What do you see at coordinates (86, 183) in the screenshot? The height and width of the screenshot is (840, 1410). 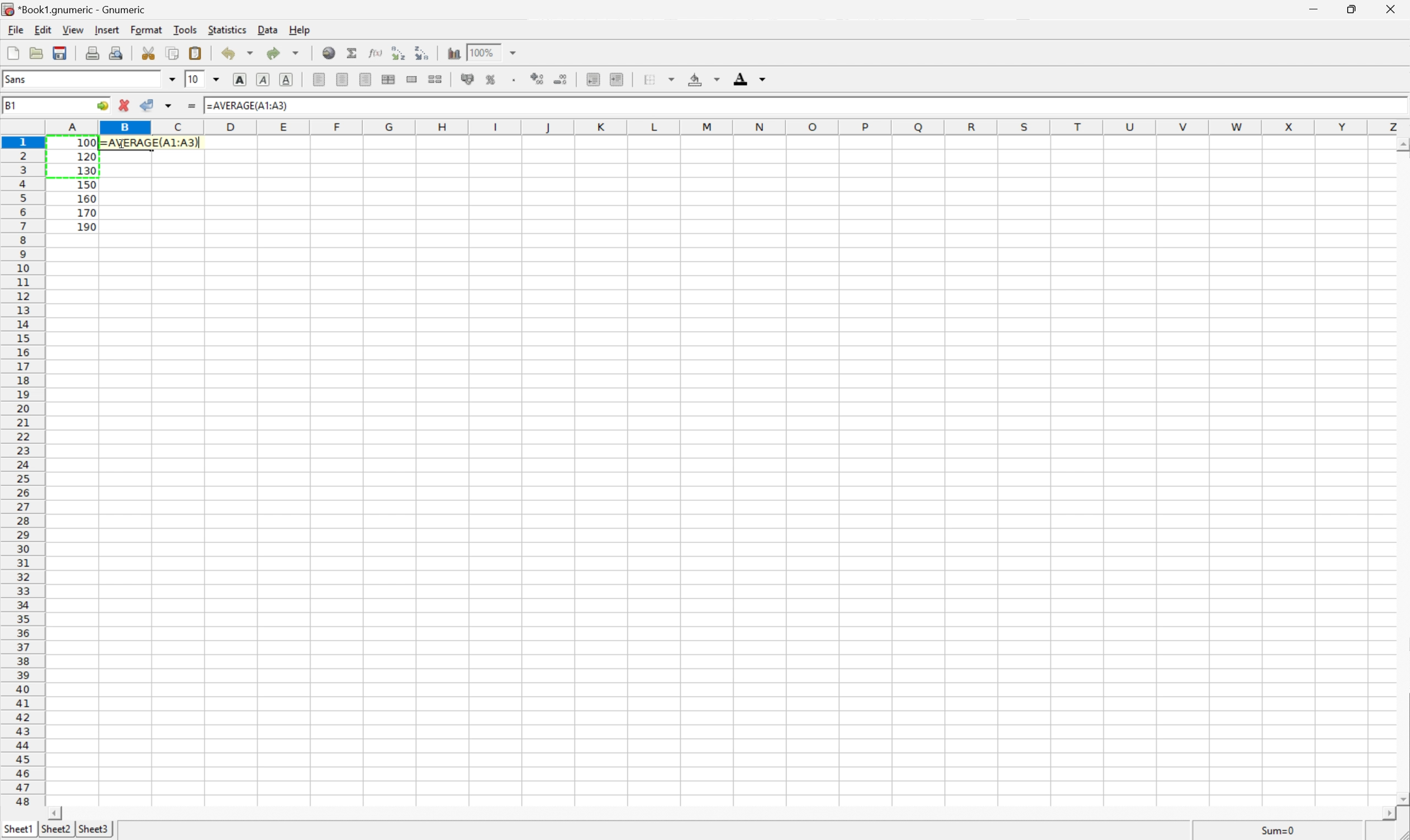 I see `150` at bounding box center [86, 183].